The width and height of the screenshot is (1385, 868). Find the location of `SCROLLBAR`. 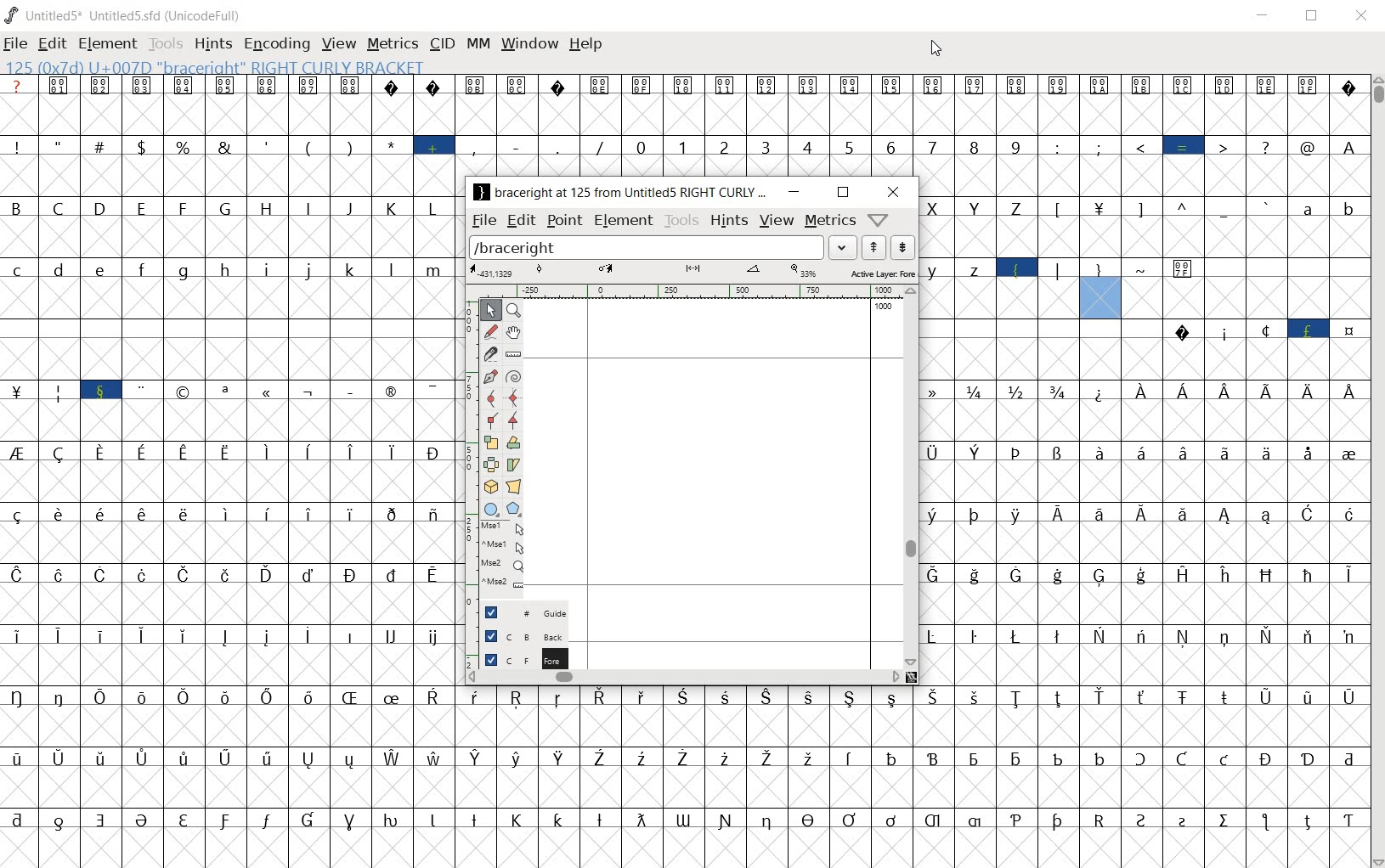

SCROLLBAR is located at coordinates (1377, 471).